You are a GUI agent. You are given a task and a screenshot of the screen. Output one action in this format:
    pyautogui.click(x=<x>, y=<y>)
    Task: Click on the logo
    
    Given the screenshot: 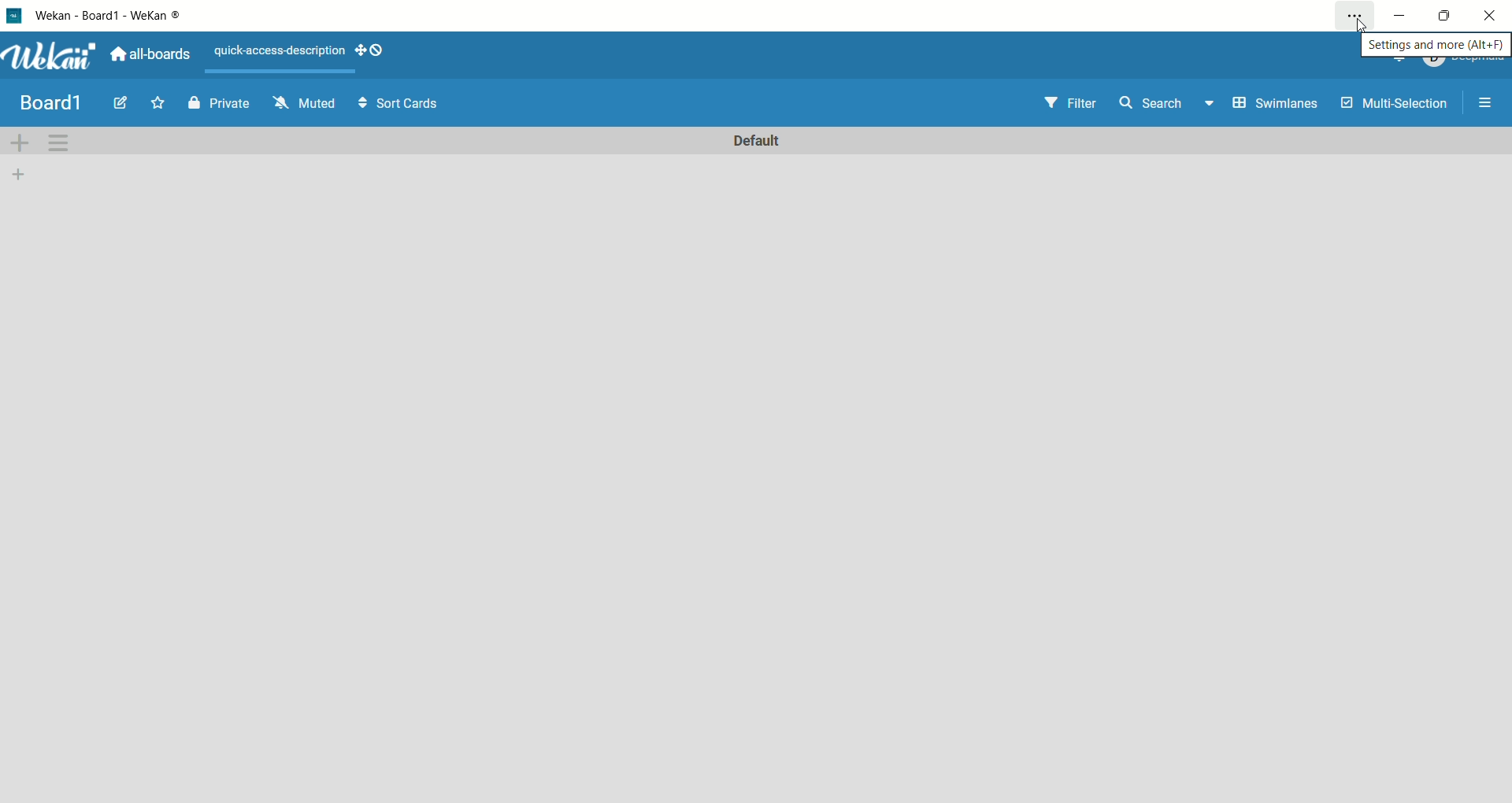 What is the action you would take?
    pyautogui.click(x=13, y=13)
    